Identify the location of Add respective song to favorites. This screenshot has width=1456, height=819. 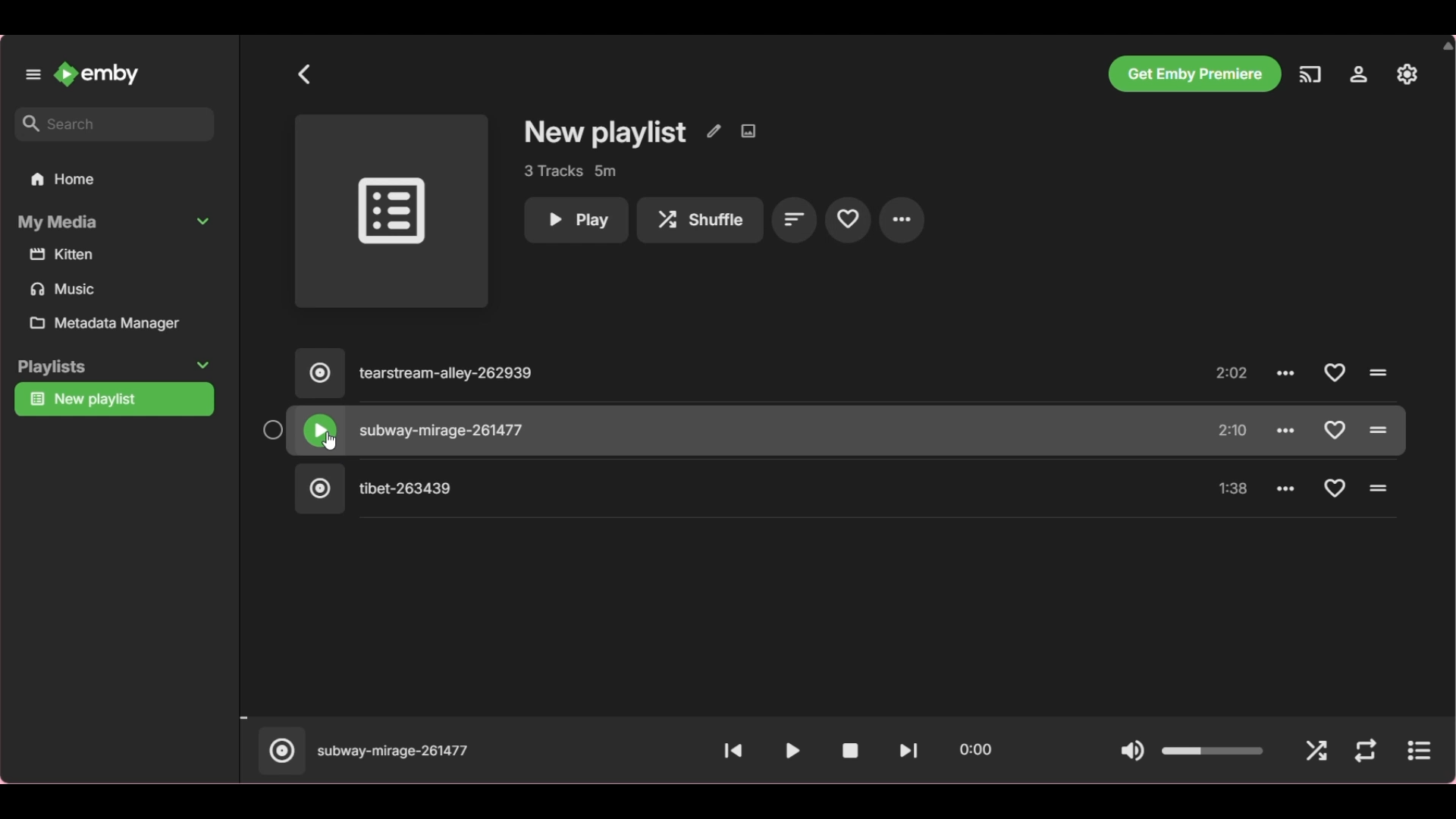
(1333, 429).